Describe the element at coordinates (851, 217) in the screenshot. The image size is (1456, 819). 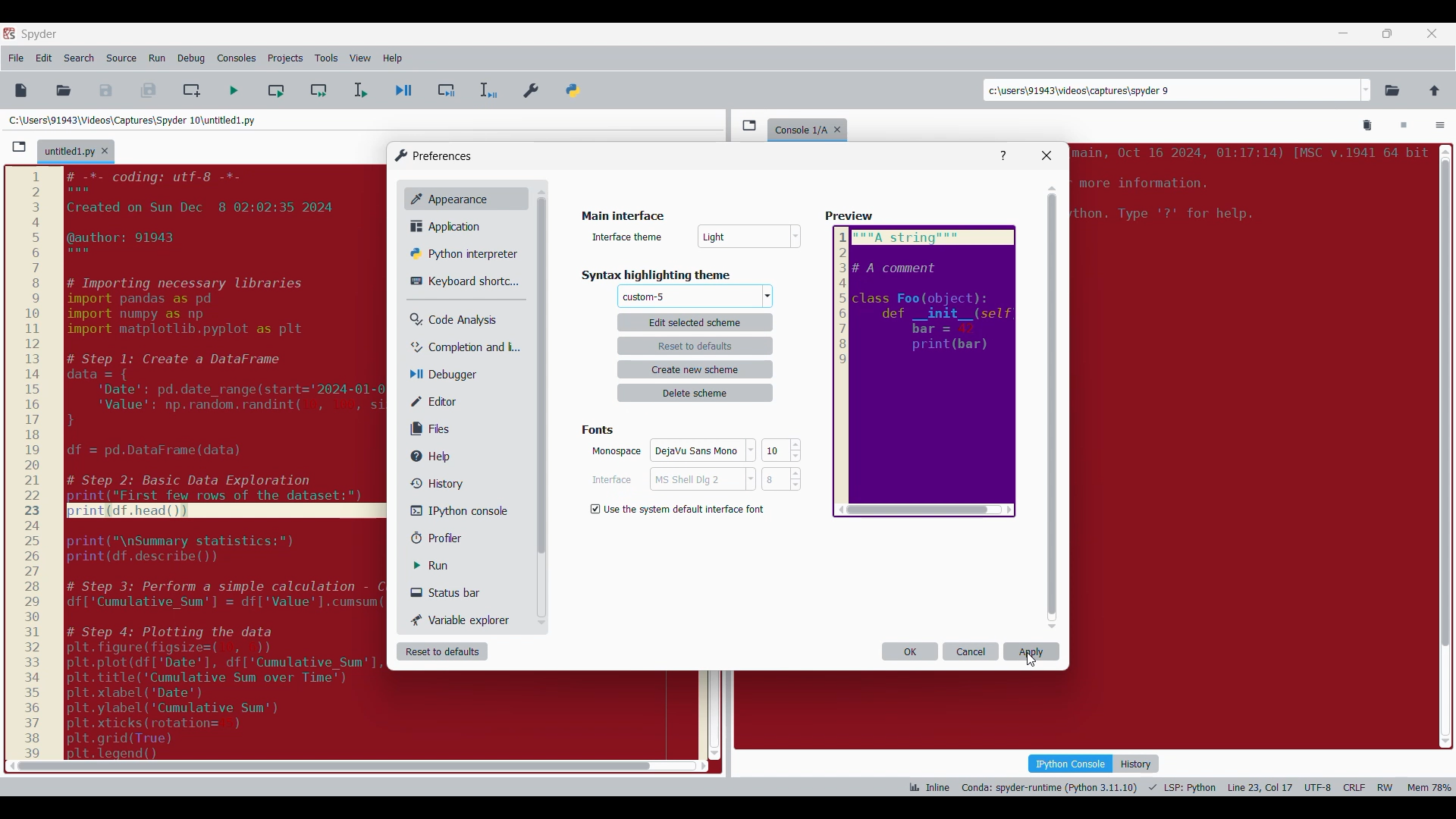
I see `` at that location.